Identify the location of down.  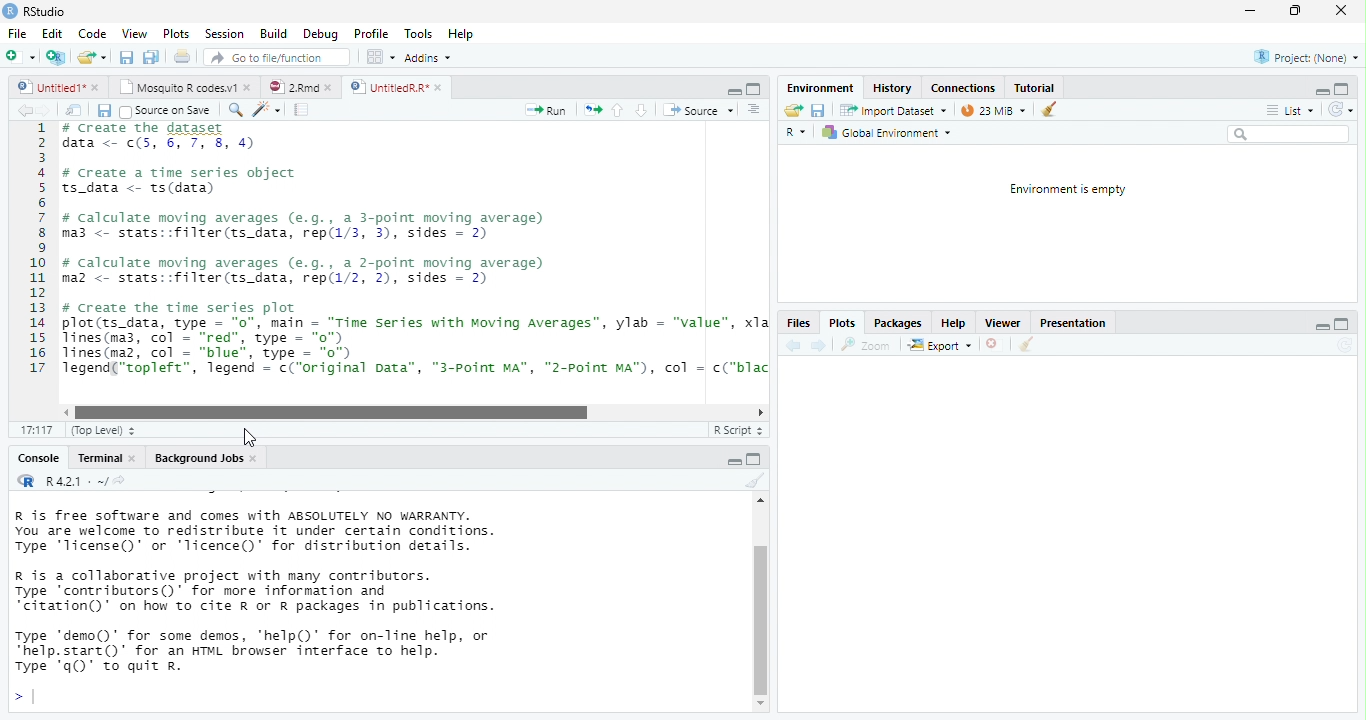
(641, 110).